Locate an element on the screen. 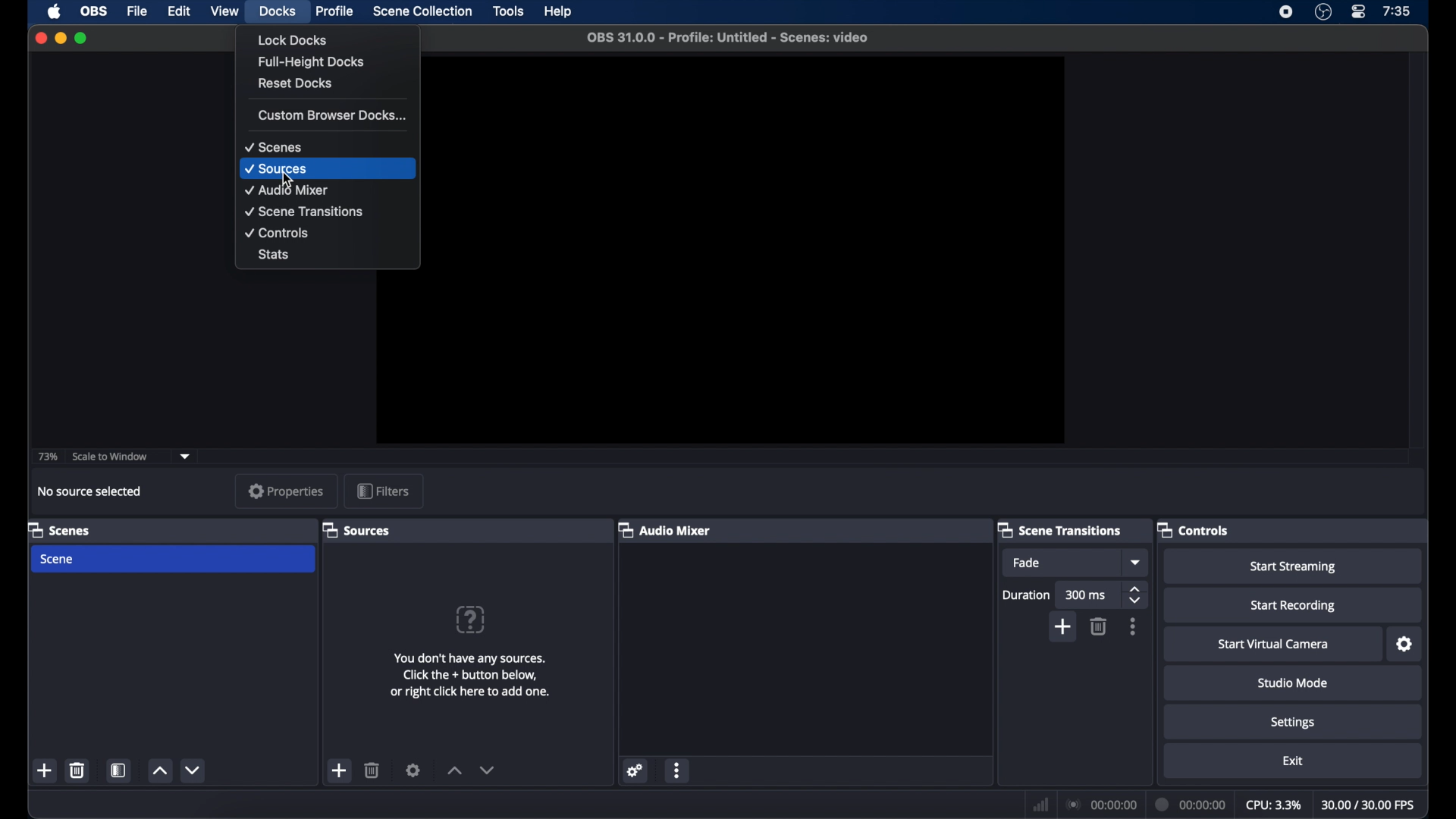 The image size is (1456, 819). scene collection is located at coordinates (422, 11).